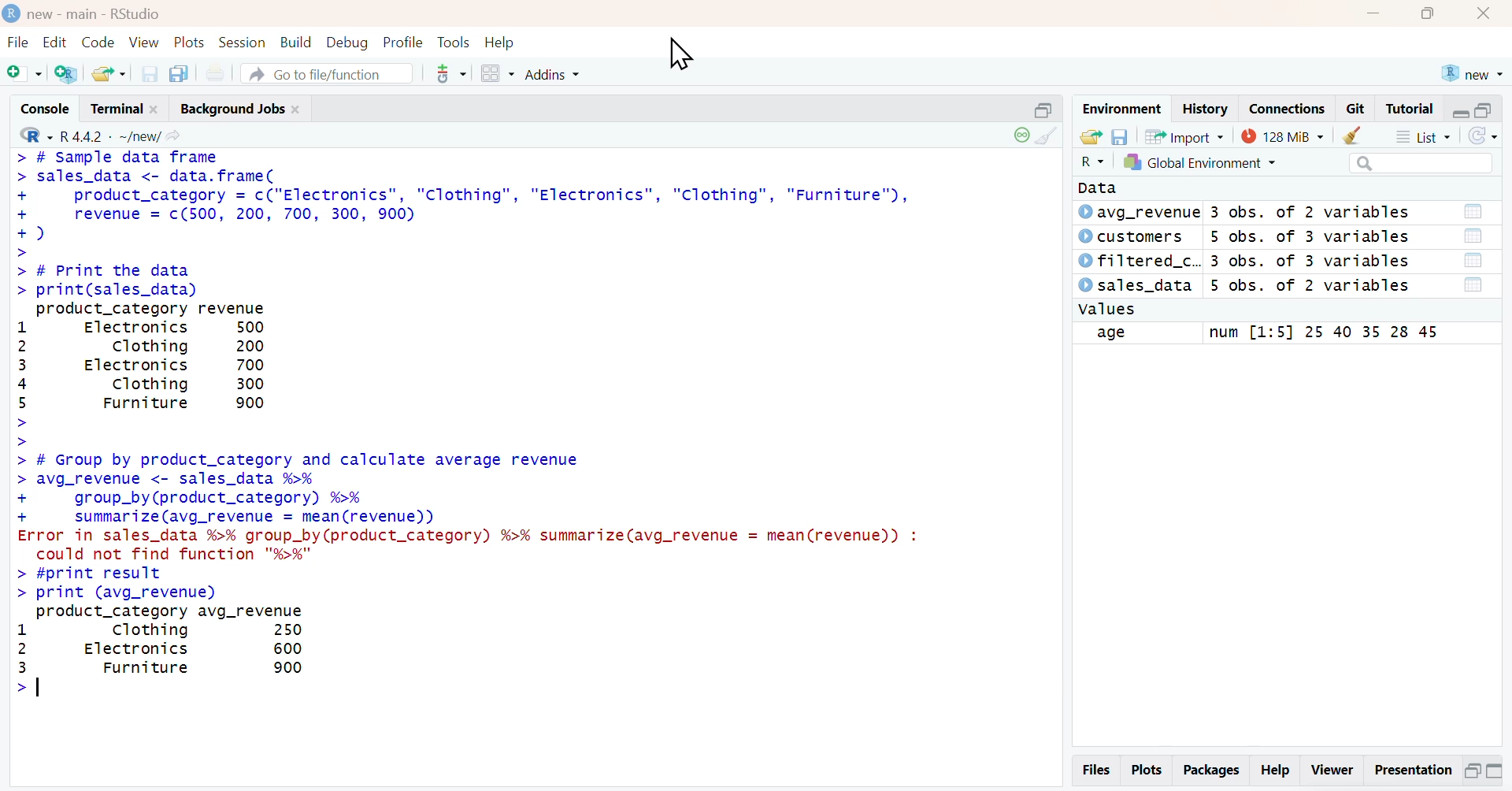 The height and width of the screenshot is (791, 1512). Describe the element at coordinates (180, 74) in the screenshot. I see `Save all open documents` at that location.